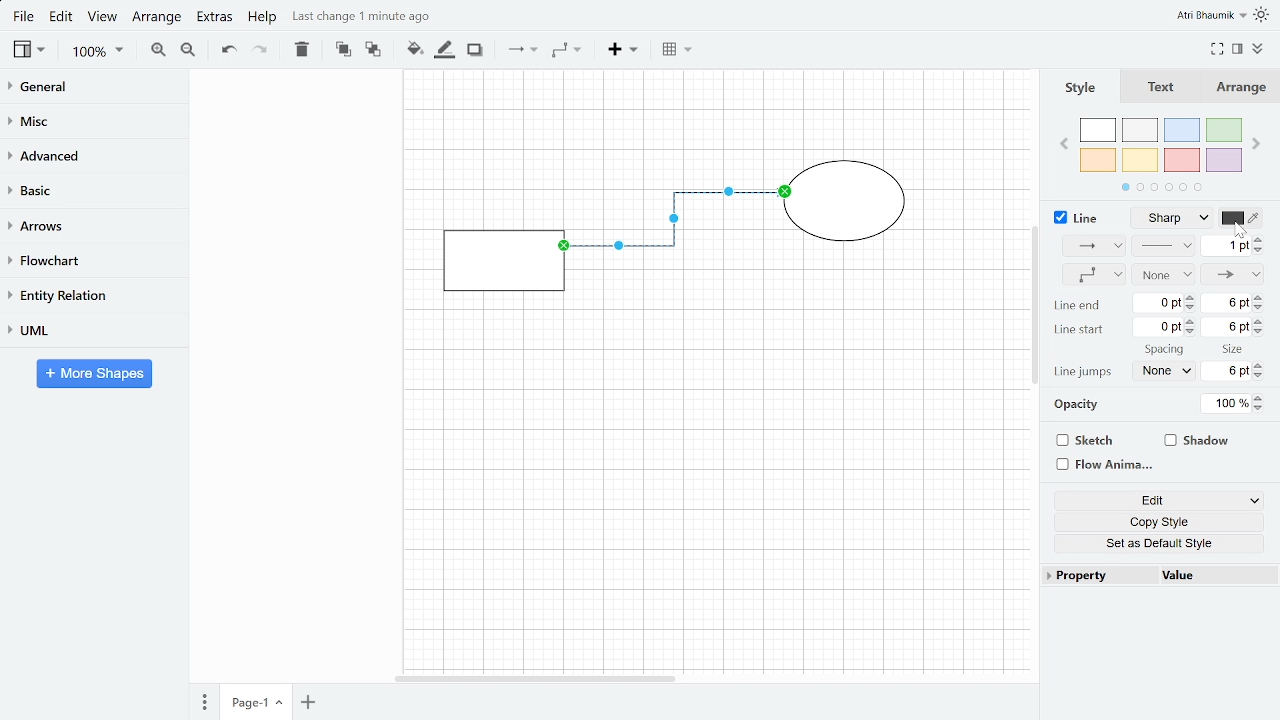  I want to click on cursor, so click(1237, 230).